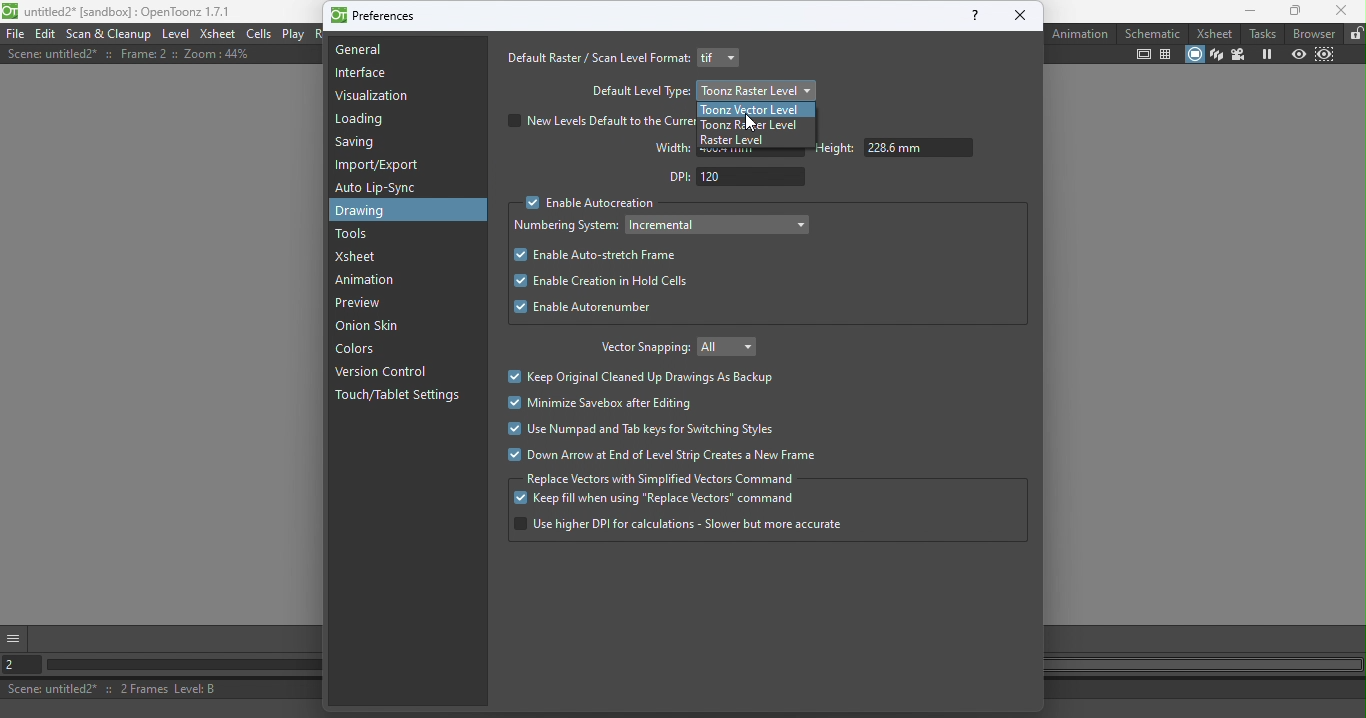 The height and width of the screenshot is (718, 1366). Describe the element at coordinates (361, 146) in the screenshot. I see `Saving` at that location.